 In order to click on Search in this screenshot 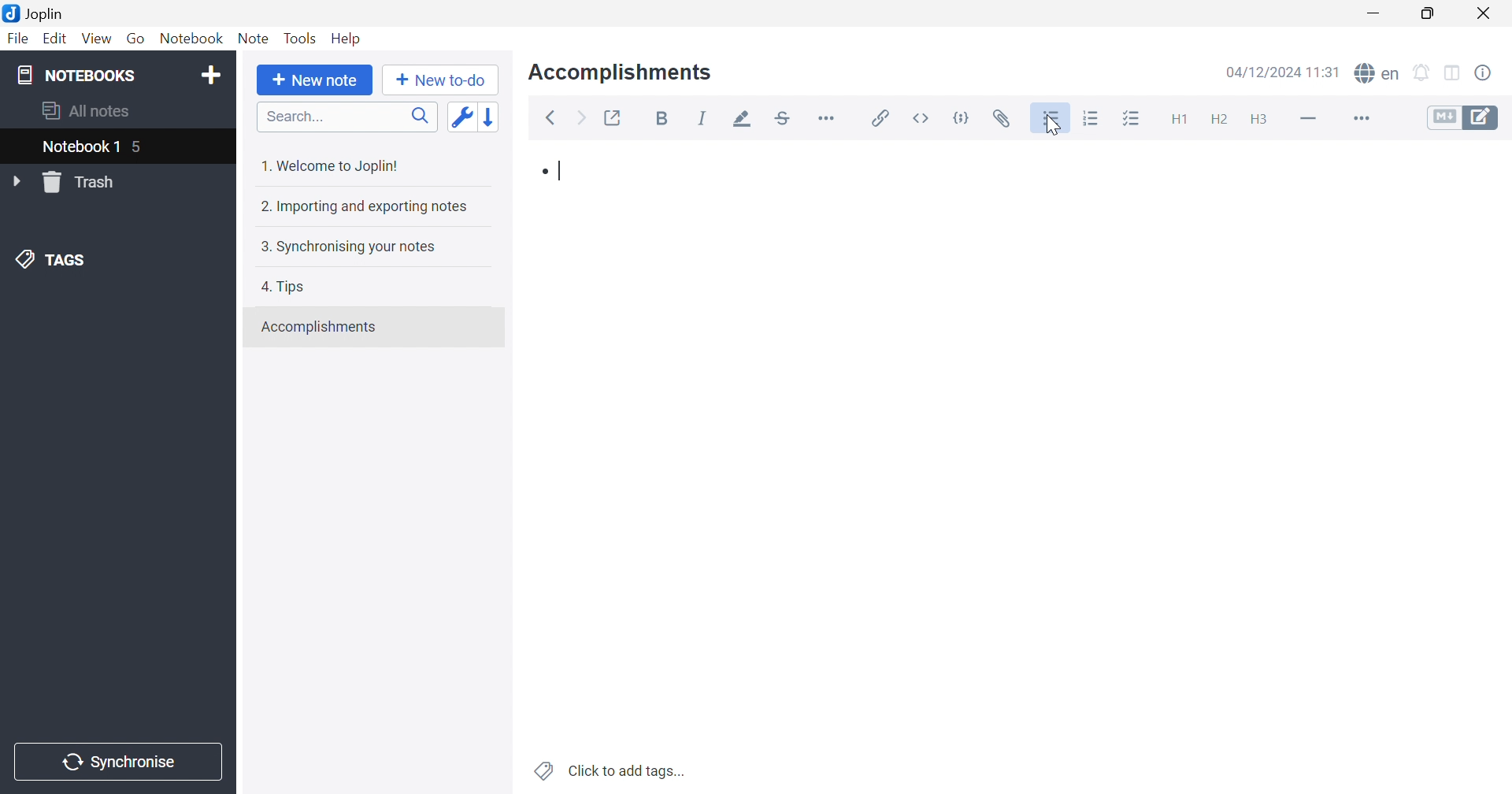, I will do `click(347, 117)`.